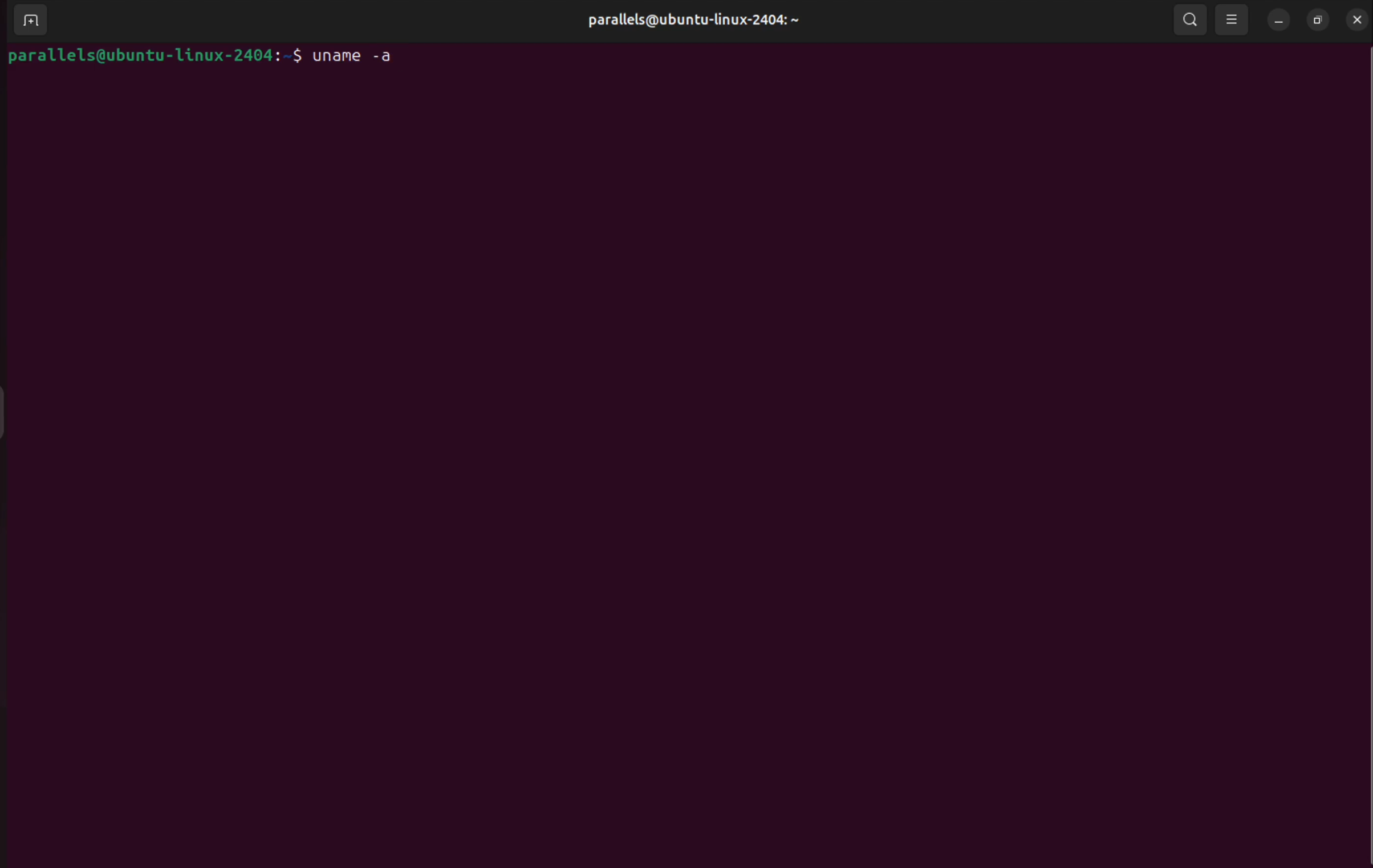  What do you see at coordinates (1318, 19) in the screenshot?
I see `resize` at bounding box center [1318, 19].